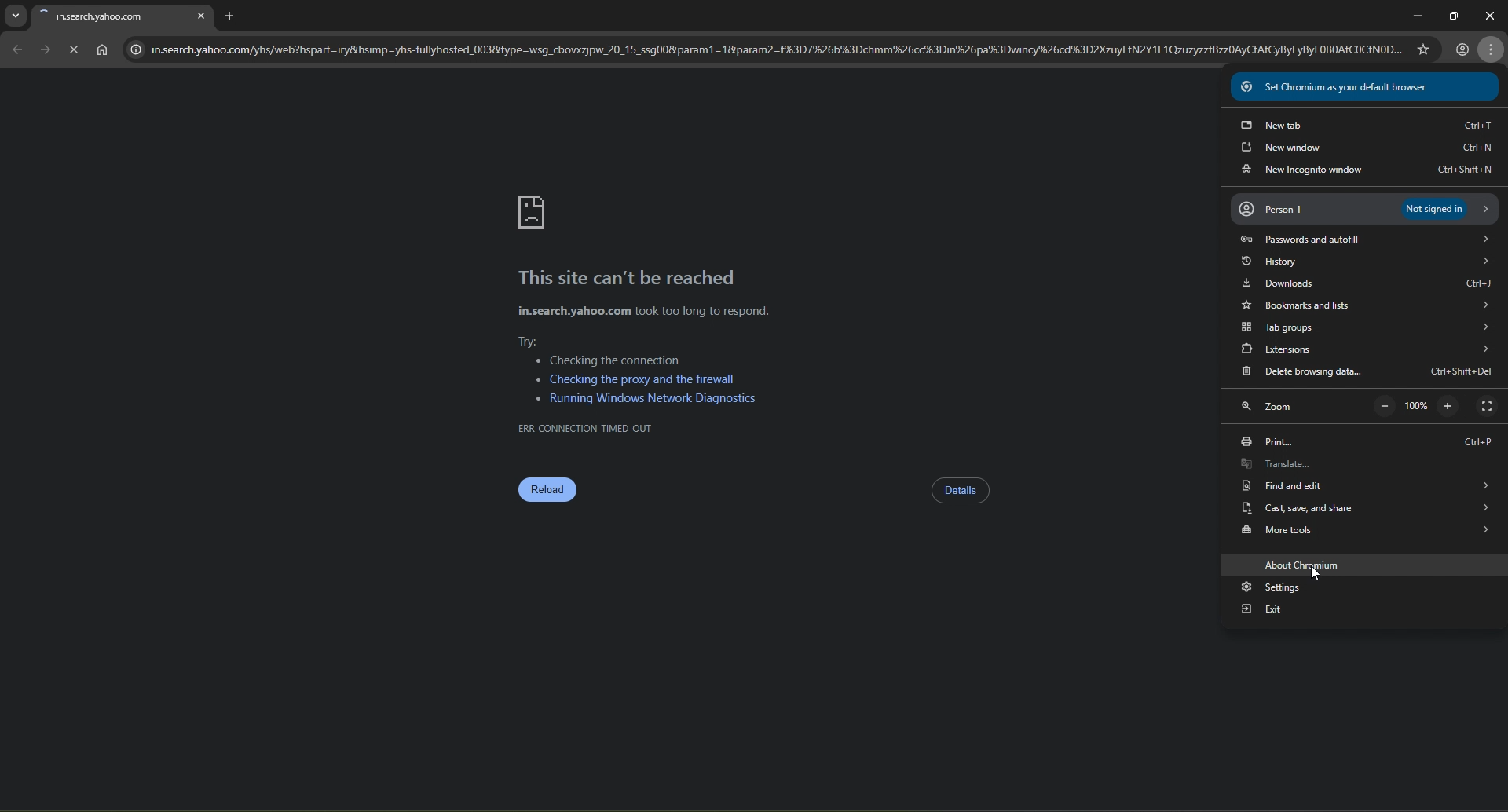  What do you see at coordinates (533, 340) in the screenshot?
I see `try` at bounding box center [533, 340].